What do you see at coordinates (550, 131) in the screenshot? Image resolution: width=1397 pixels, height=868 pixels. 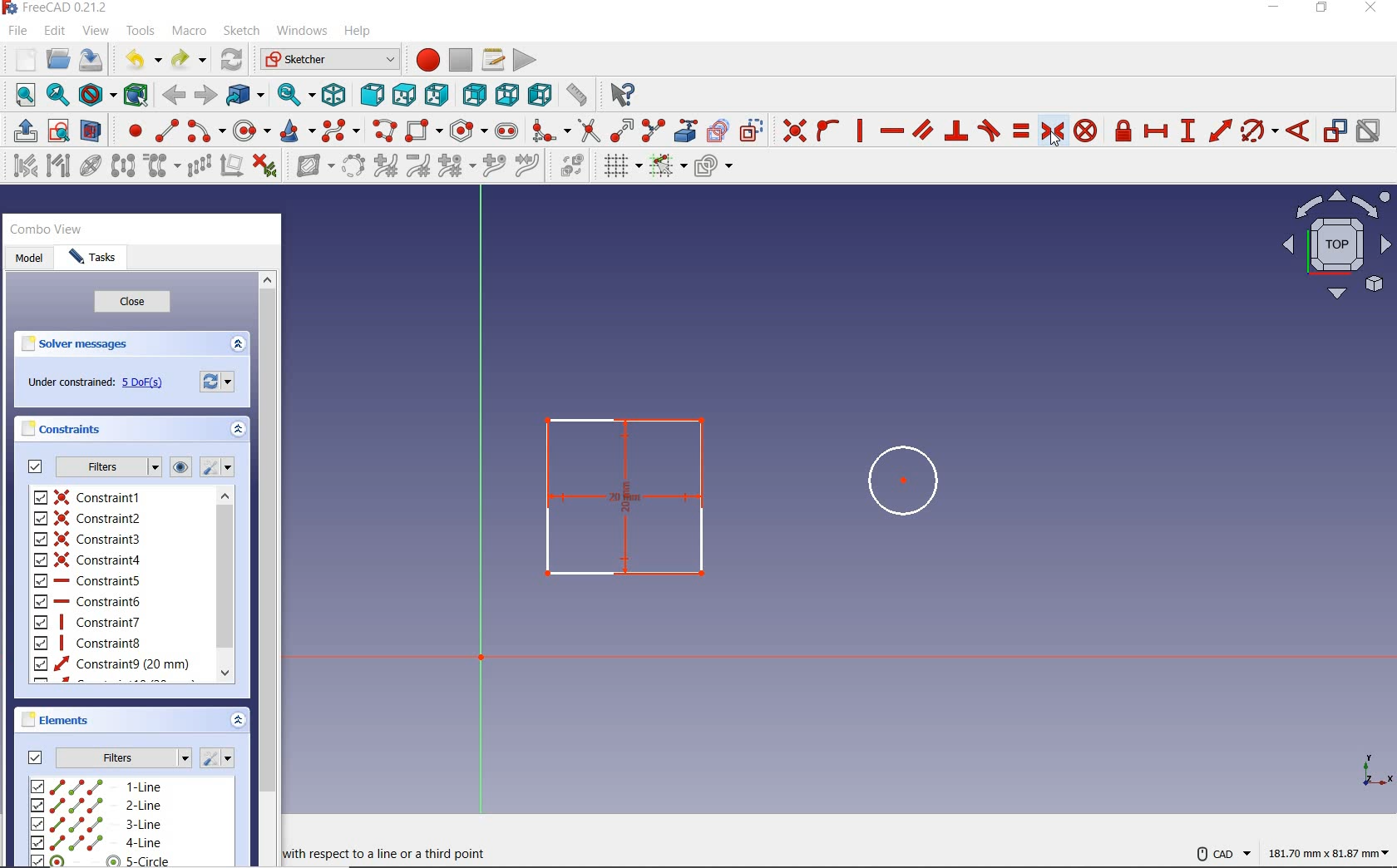 I see `create fillet` at bounding box center [550, 131].